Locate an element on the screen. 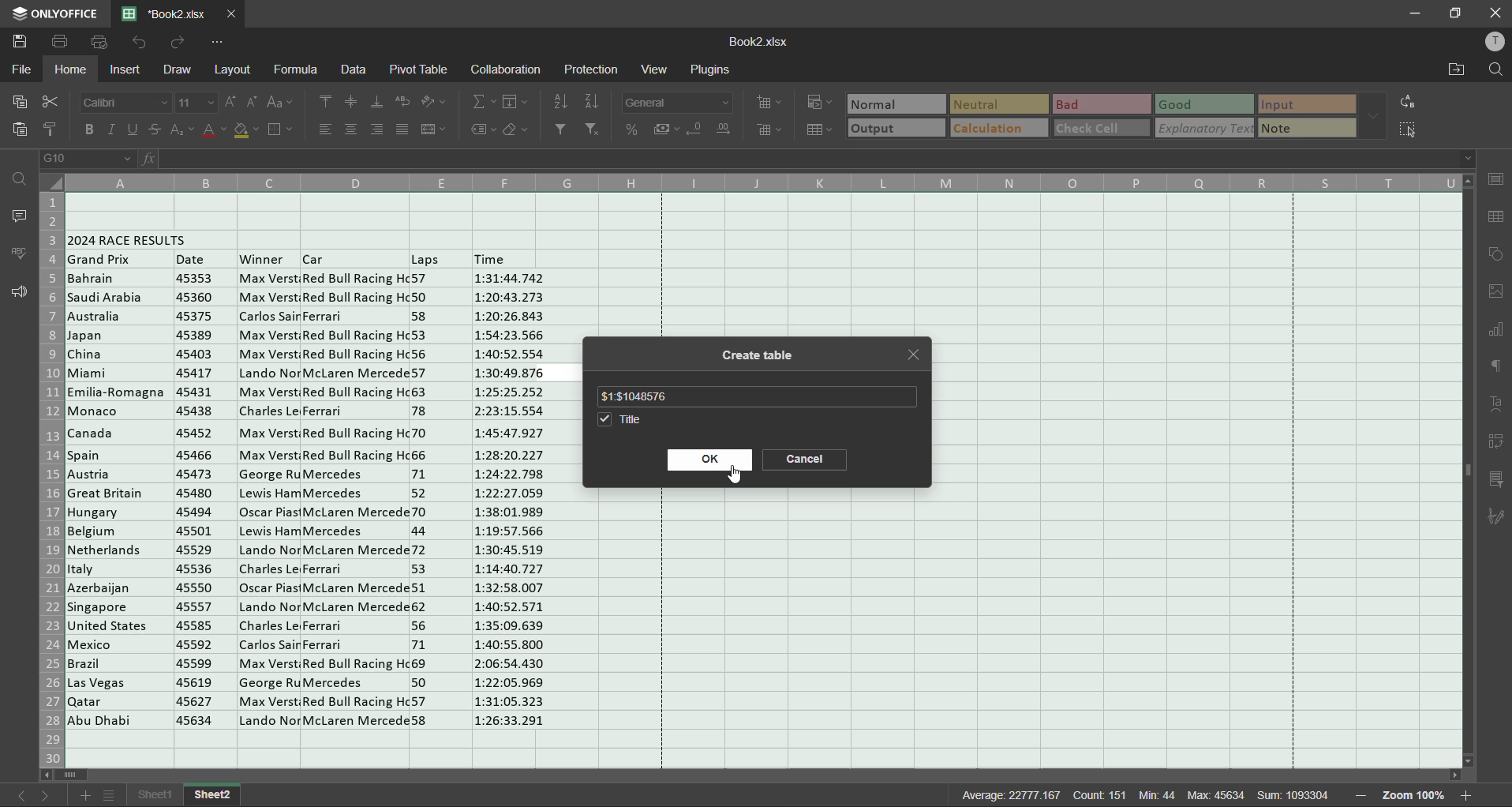  max is located at coordinates (1215, 794).